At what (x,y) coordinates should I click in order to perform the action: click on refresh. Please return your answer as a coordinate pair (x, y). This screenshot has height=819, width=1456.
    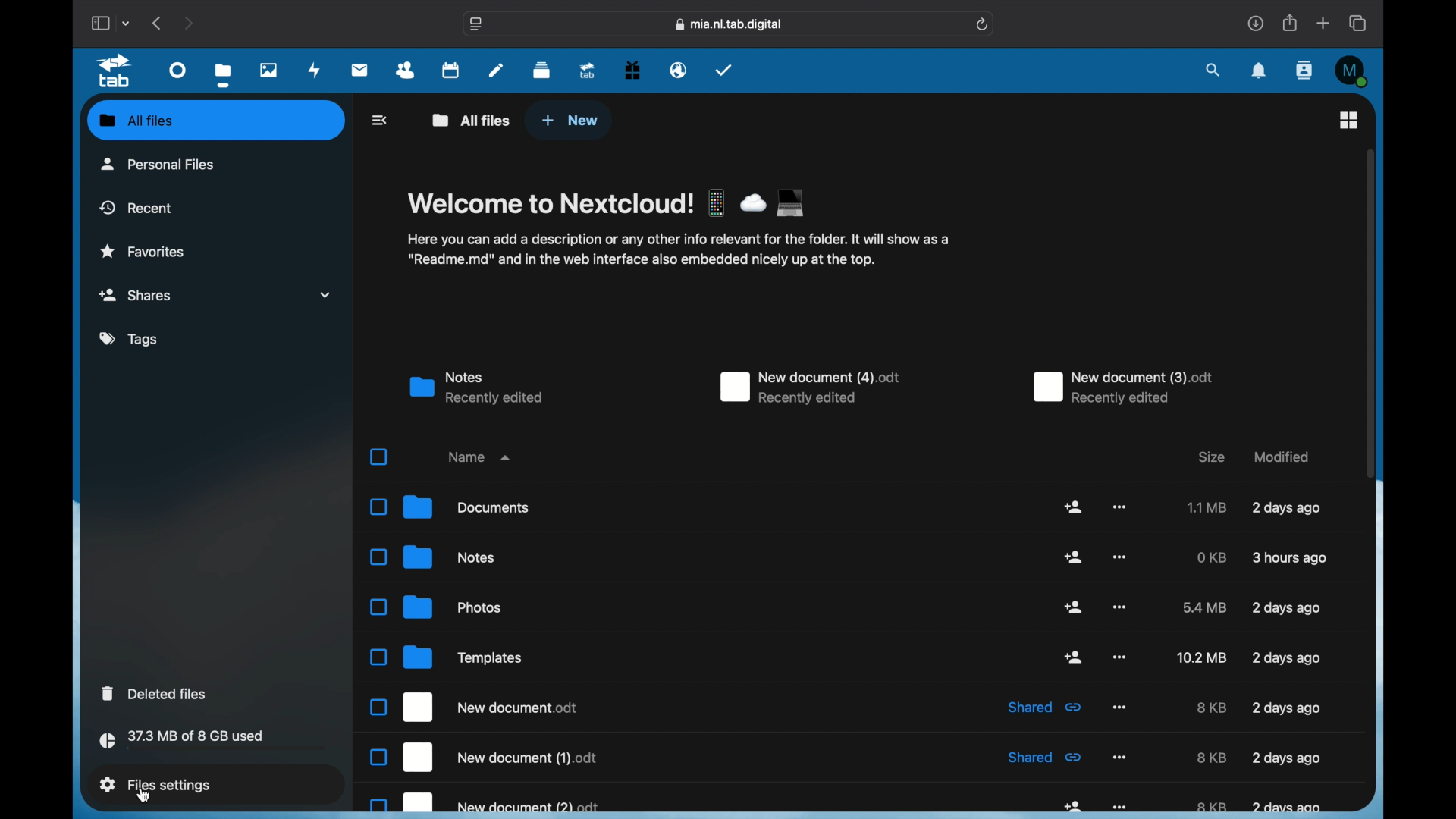
    Looking at the image, I should click on (983, 24).